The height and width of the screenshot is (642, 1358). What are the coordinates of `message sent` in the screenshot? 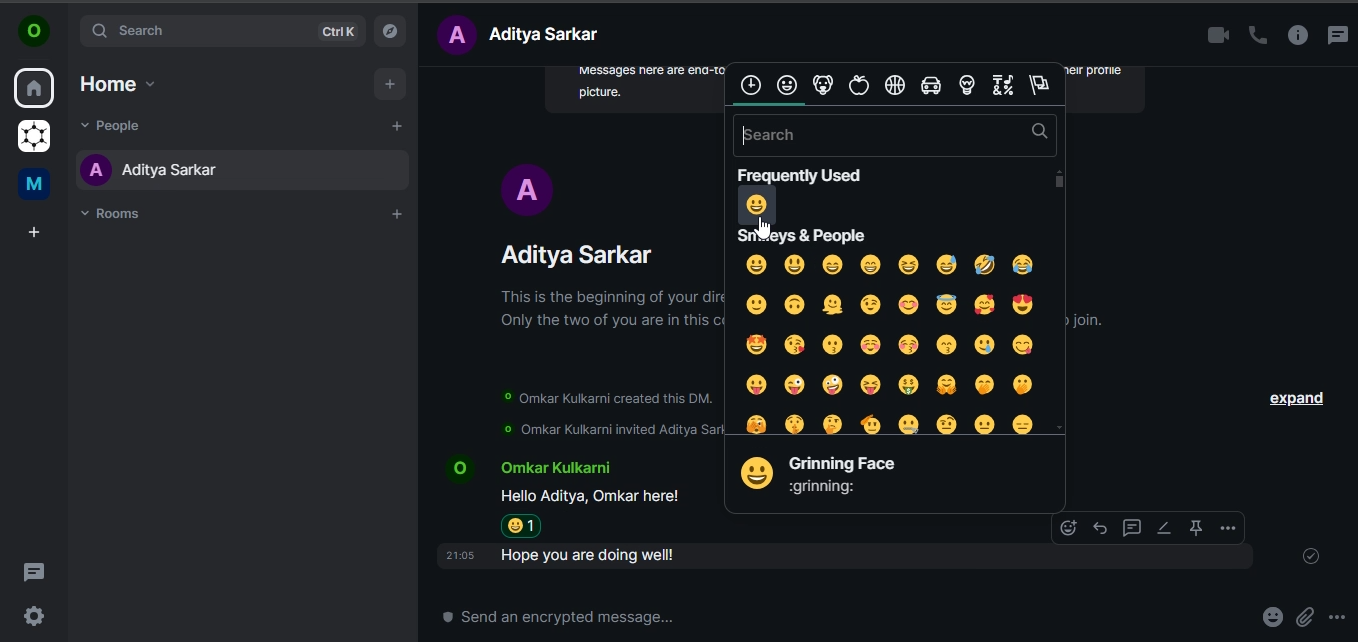 It's located at (1313, 558).